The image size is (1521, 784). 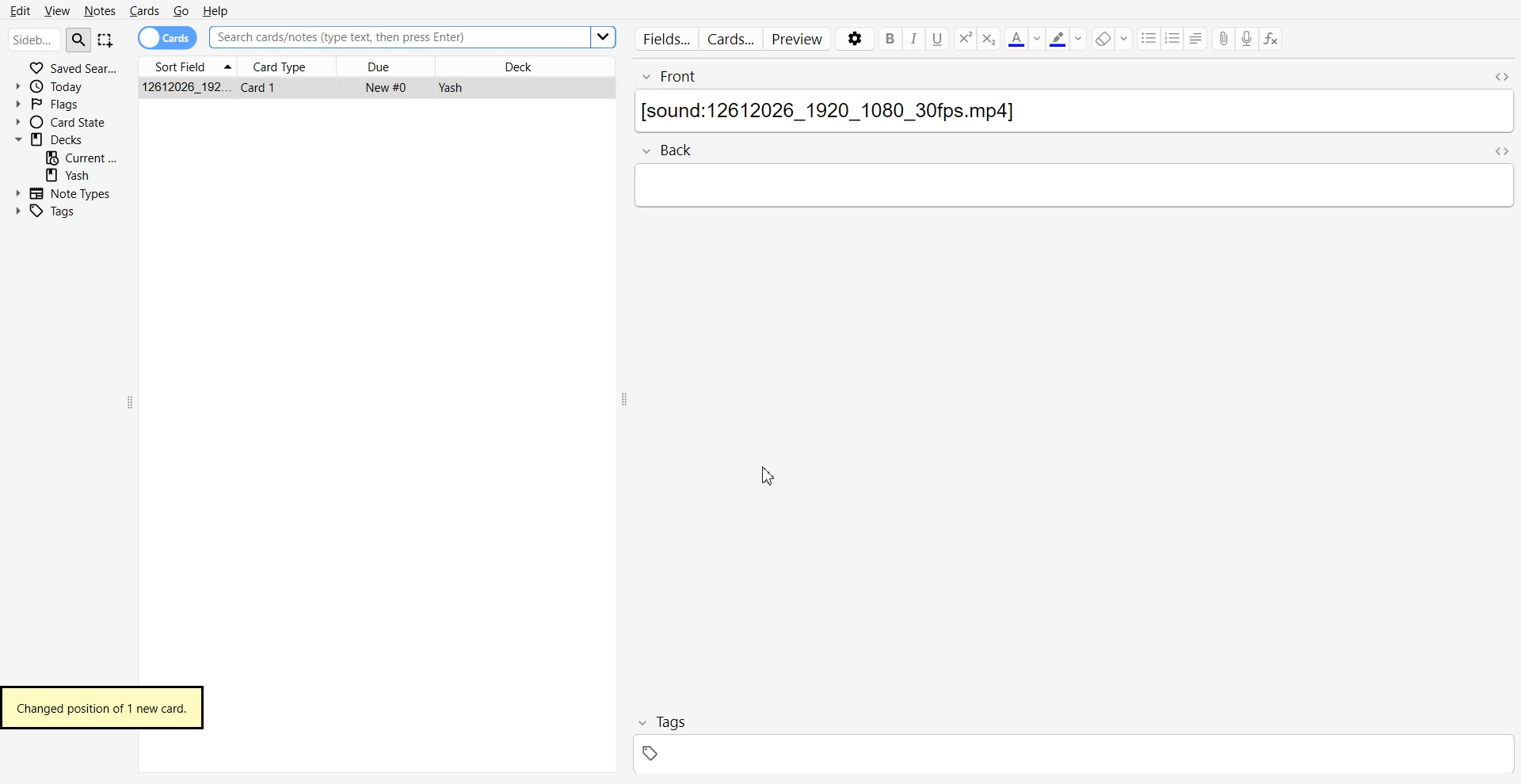 What do you see at coordinates (1054, 74) in the screenshot?
I see `Front` at bounding box center [1054, 74].